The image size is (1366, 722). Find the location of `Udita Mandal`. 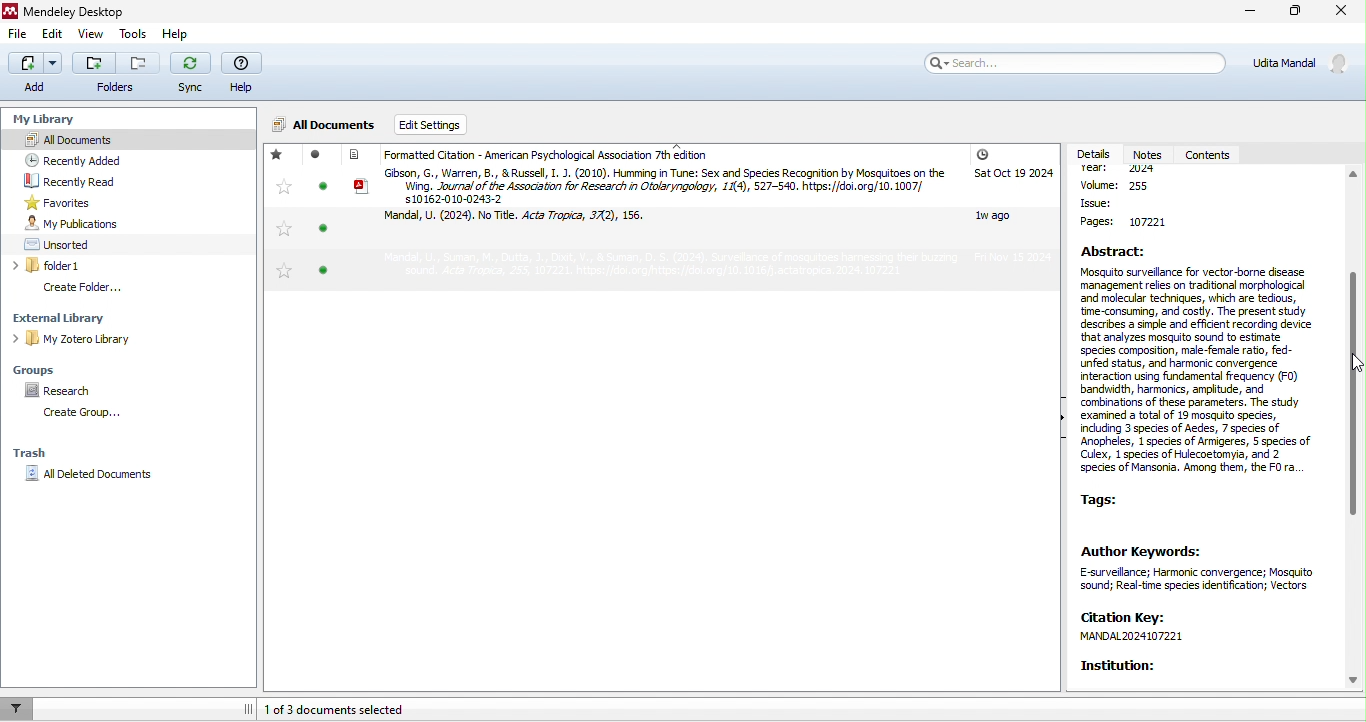

Udita Mandal is located at coordinates (1305, 63).